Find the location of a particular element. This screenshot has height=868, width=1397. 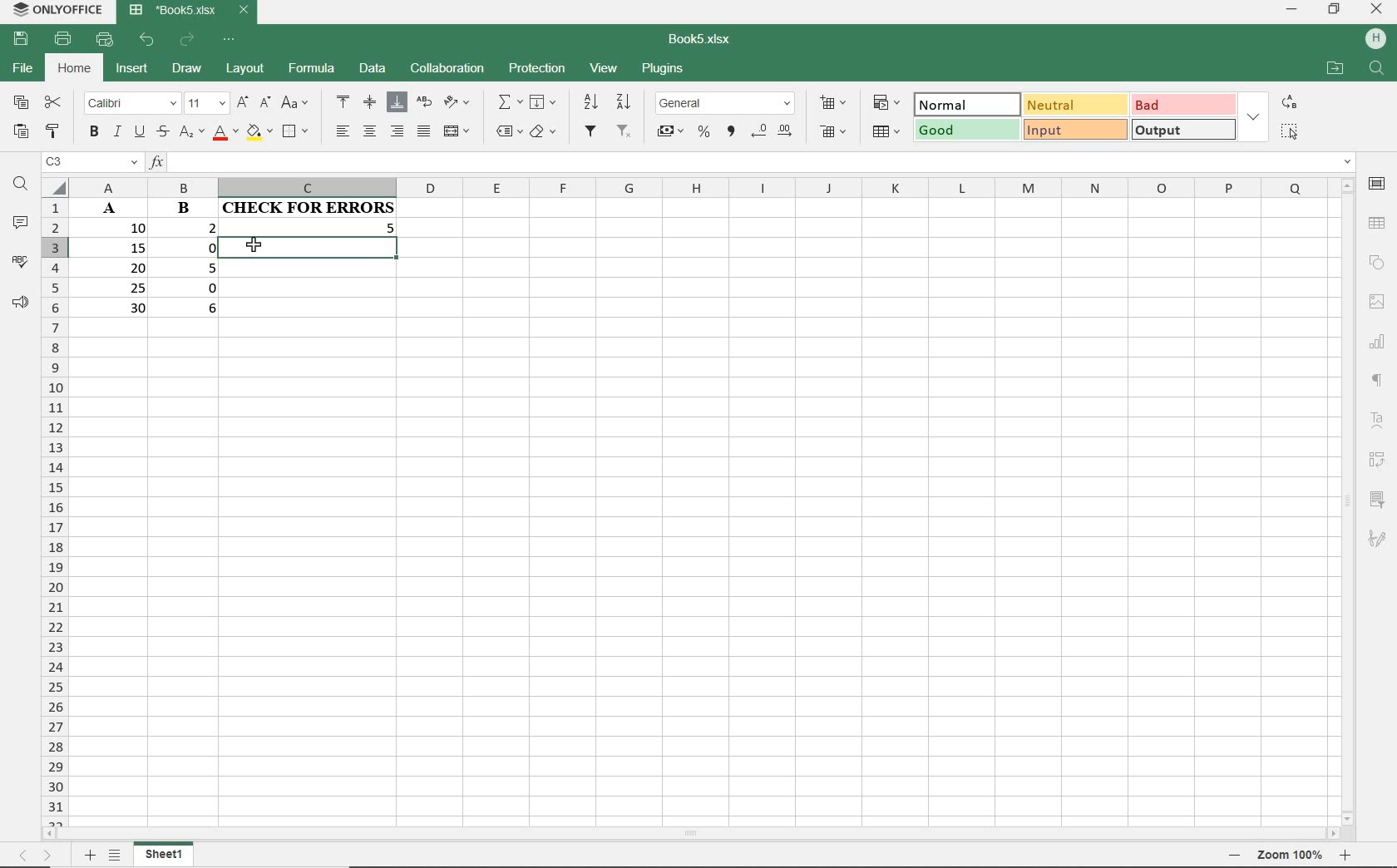

FILL is located at coordinates (541, 102).